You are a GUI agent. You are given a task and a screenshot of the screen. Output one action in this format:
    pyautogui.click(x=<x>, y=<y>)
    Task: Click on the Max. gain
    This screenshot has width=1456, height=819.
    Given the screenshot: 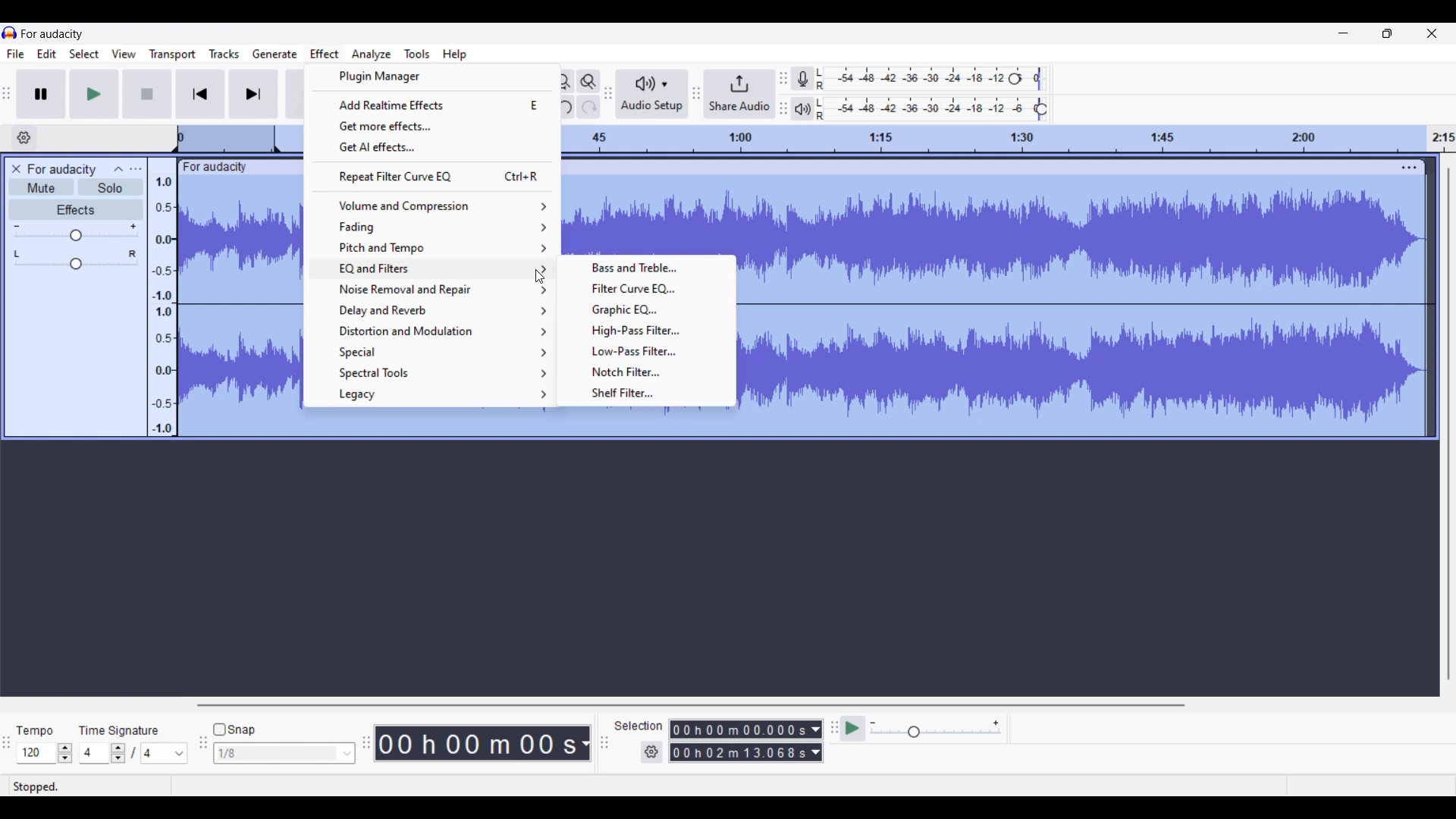 What is the action you would take?
    pyautogui.click(x=133, y=227)
    